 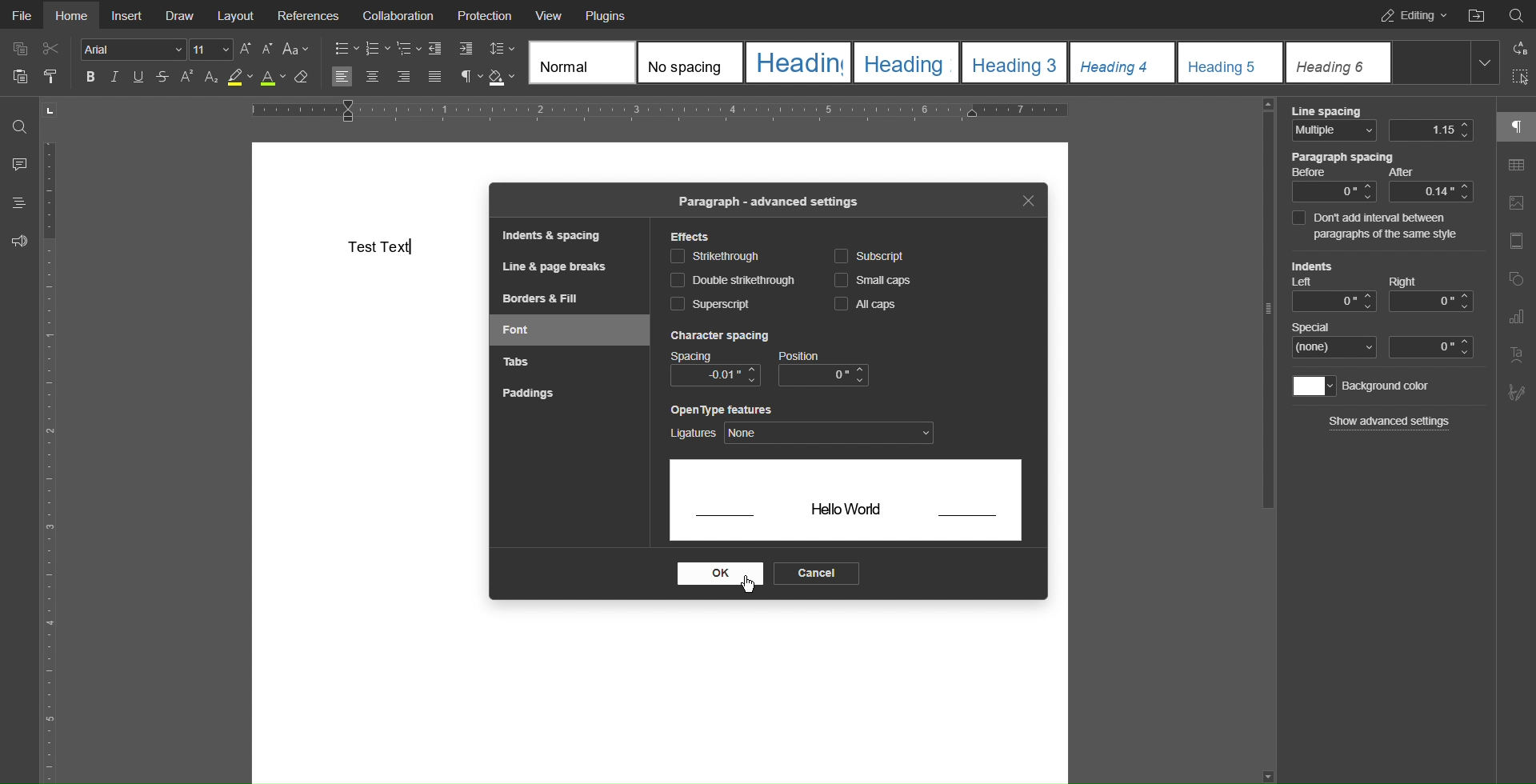 What do you see at coordinates (55, 458) in the screenshot?
I see `Vertical Ruler` at bounding box center [55, 458].